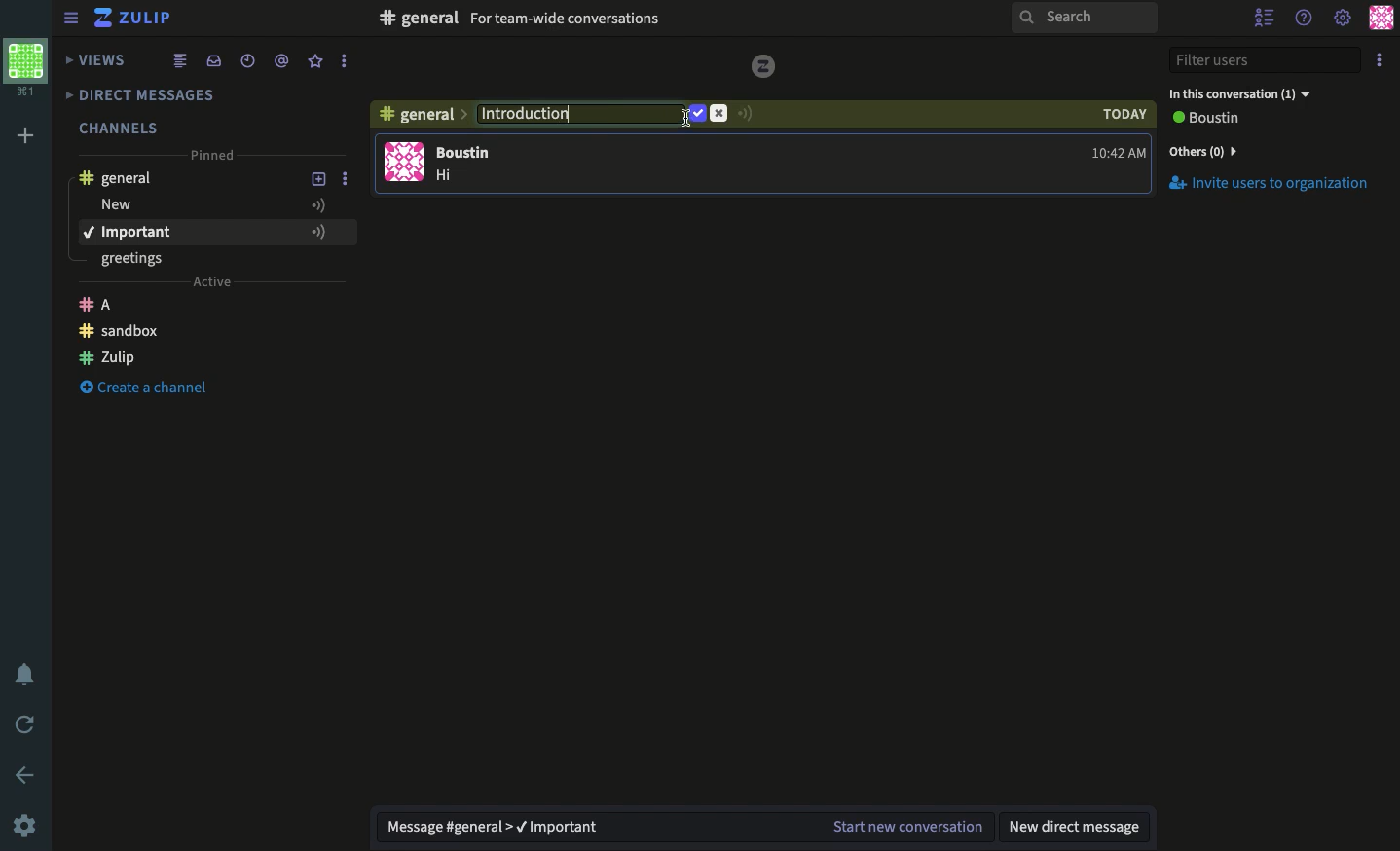  Describe the element at coordinates (285, 60) in the screenshot. I see `Mention` at that location.